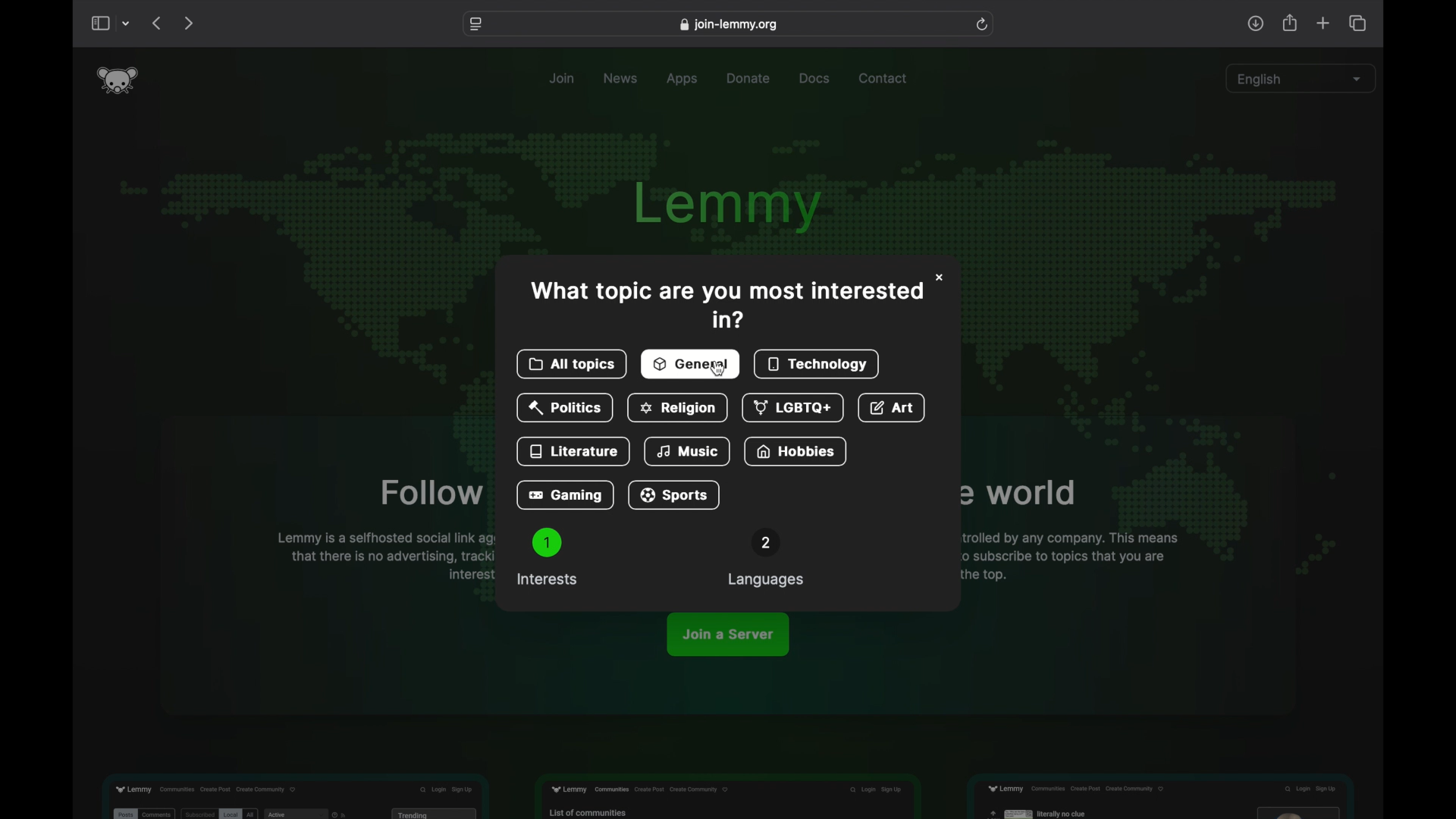  Describe the element at coordinates (294, 794) in the screenshot. I see `feature preview` at that location.